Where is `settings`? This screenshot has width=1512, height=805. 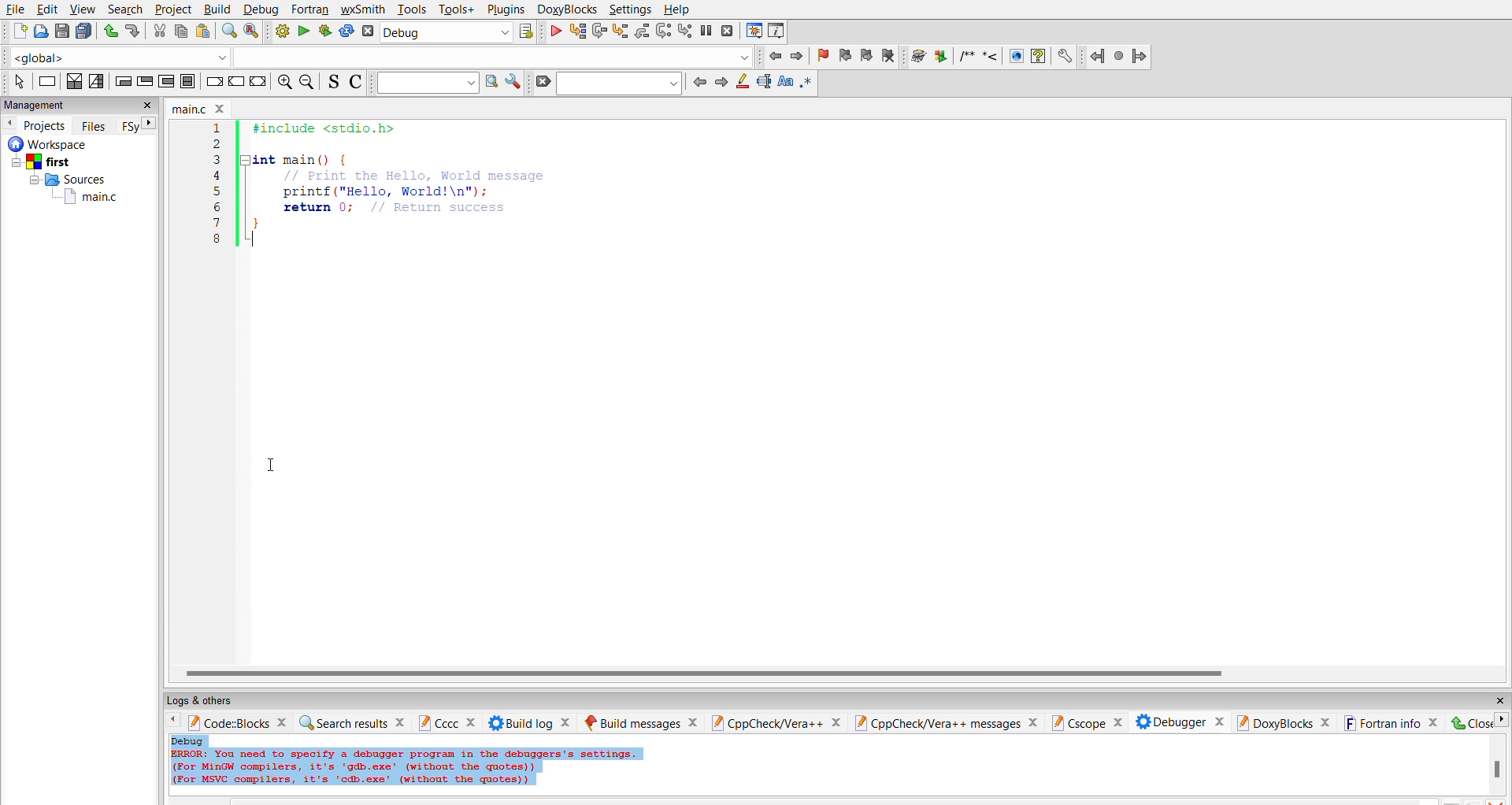
settings is located at coordinates (628, 9).